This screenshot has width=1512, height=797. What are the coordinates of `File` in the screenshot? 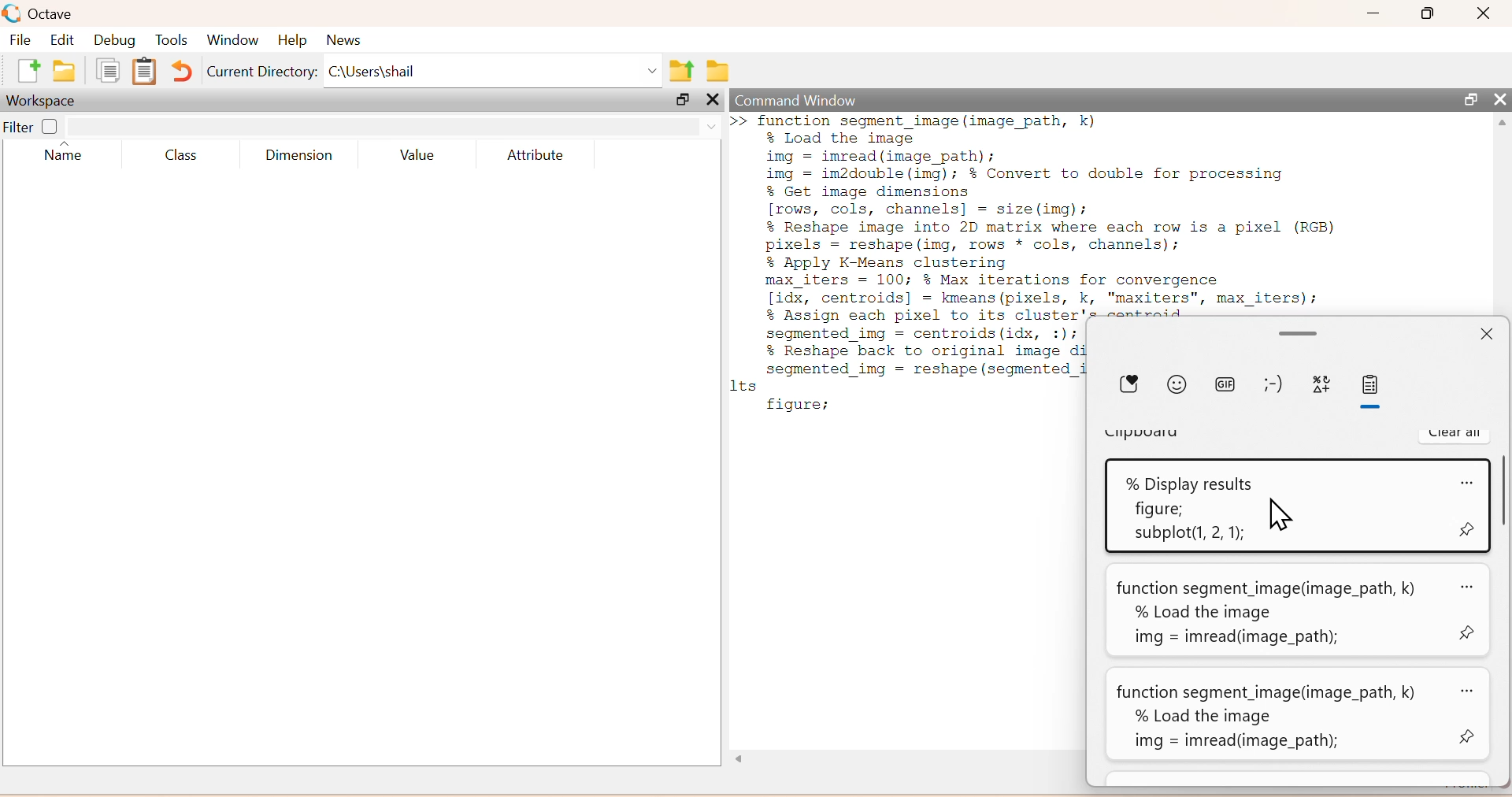 It's located at (23, 40).